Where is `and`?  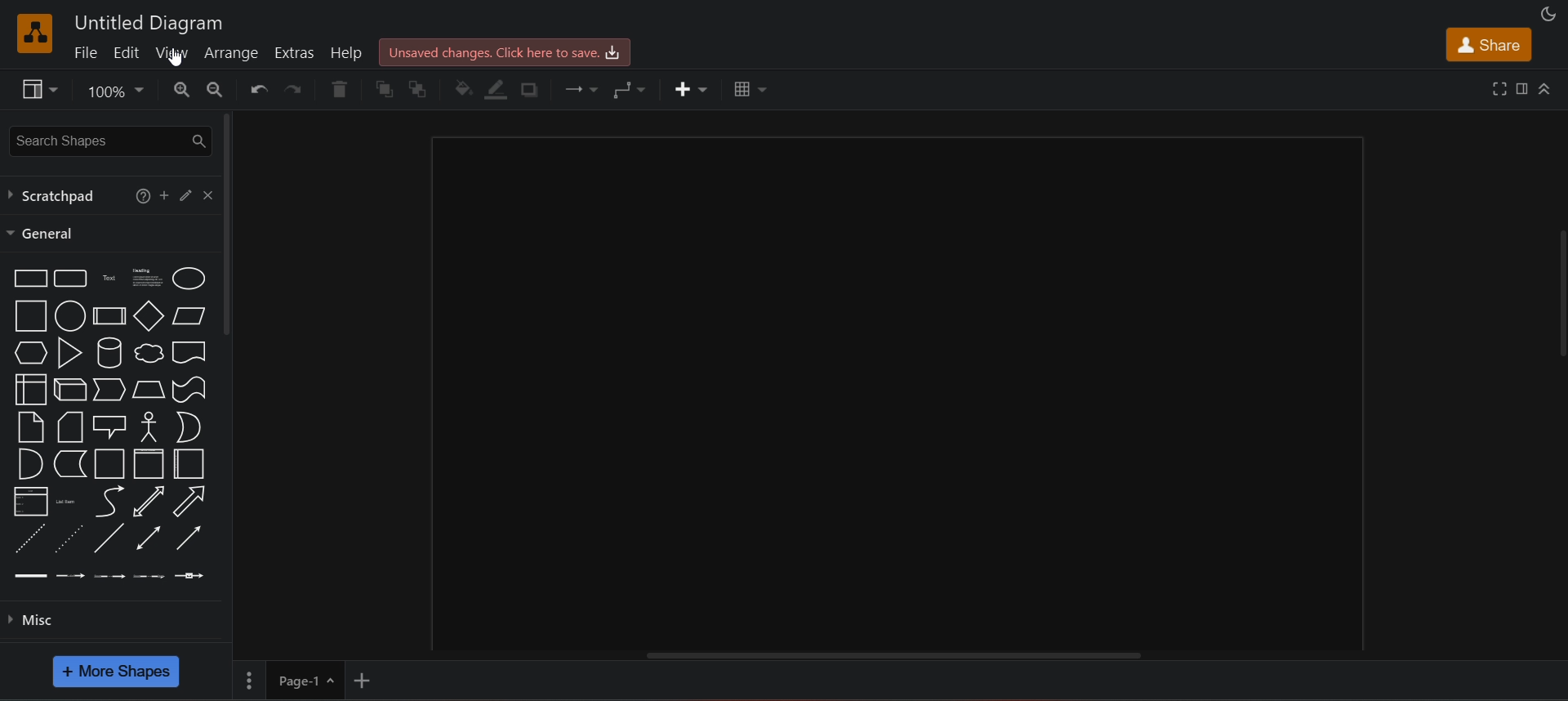 and is located at coordinates (27, 462).